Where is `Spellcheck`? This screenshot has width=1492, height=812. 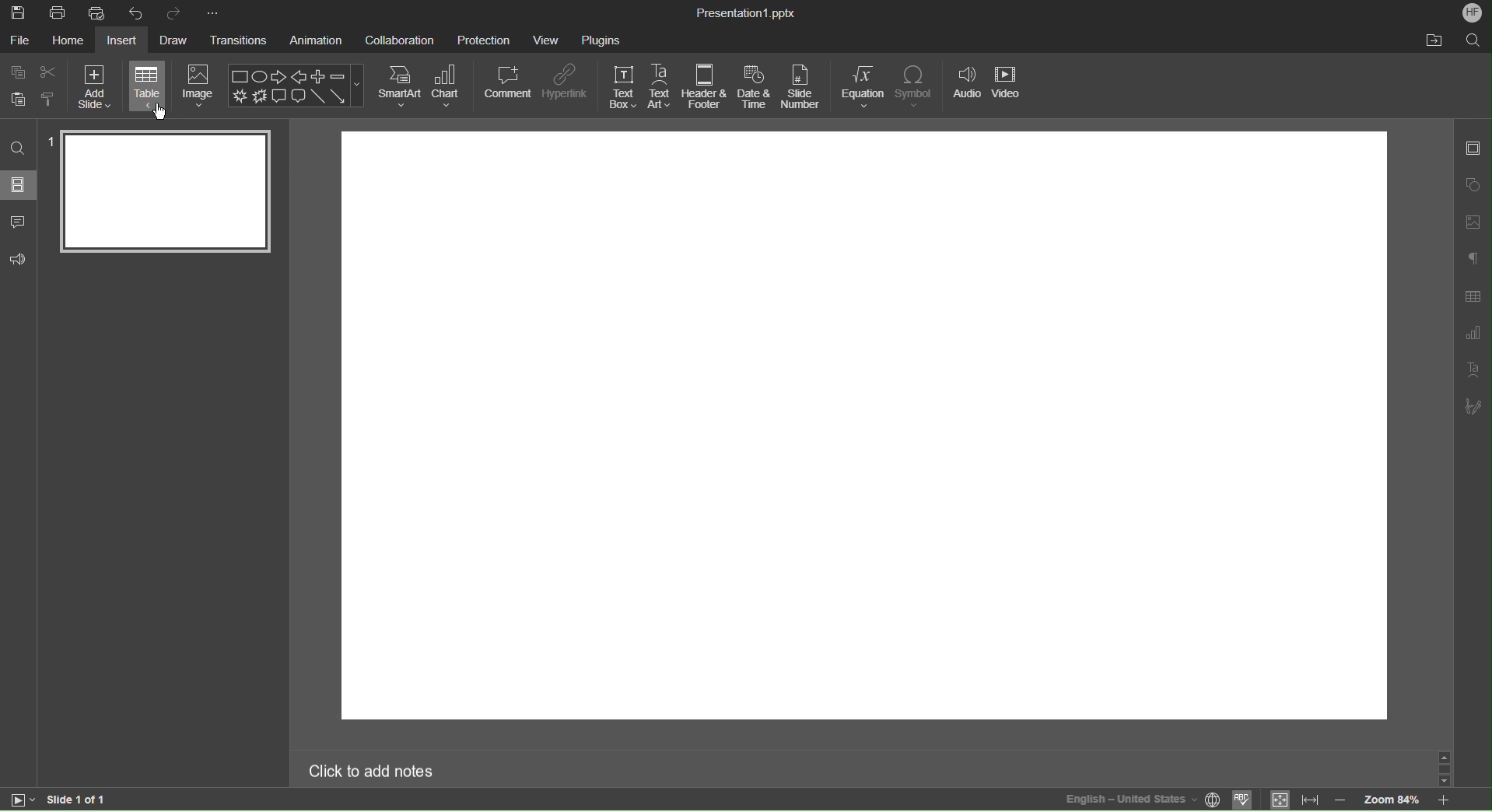 Spellcheck is located at coordinates (1243, 800).